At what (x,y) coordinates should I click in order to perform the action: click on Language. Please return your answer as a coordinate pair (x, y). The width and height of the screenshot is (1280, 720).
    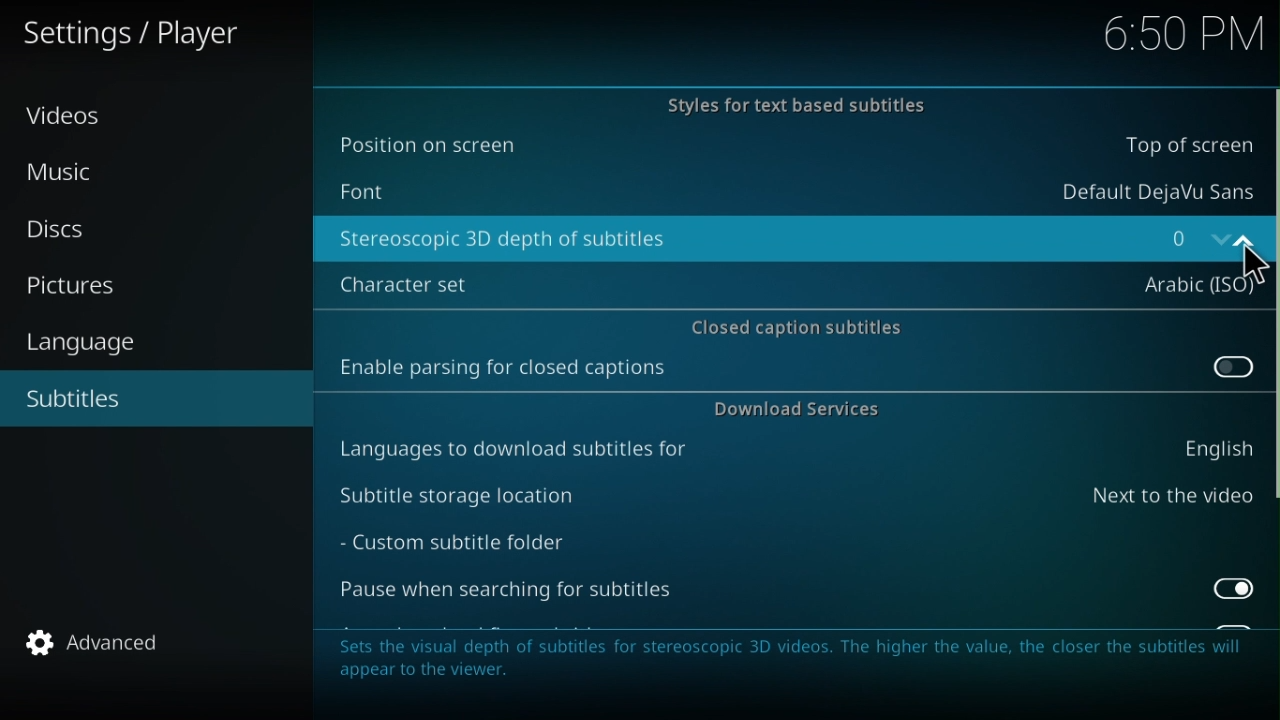
    Looking at the image, I should click on (73, 341).